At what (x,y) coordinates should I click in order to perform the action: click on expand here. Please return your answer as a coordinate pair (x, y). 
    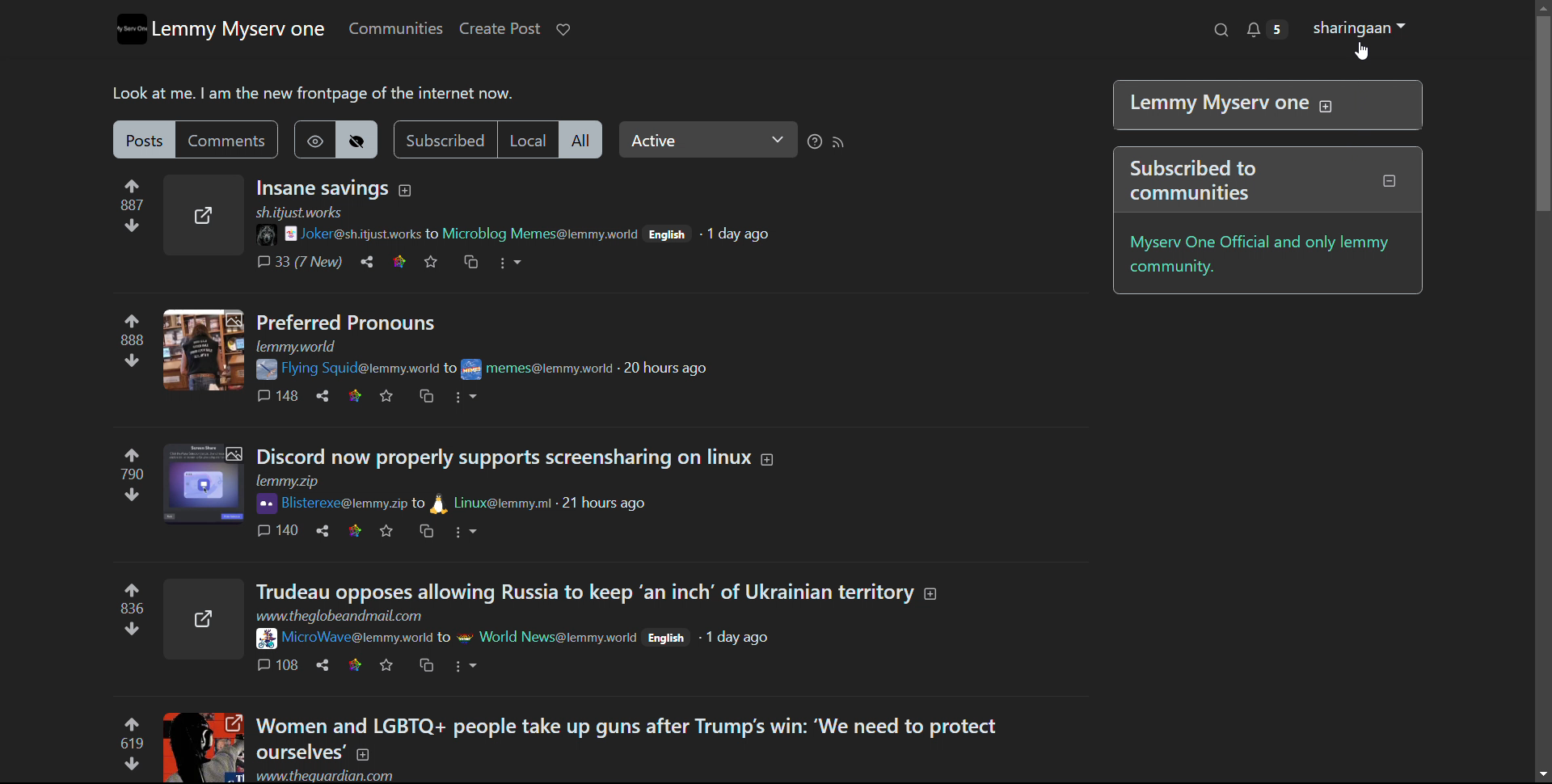
    Looking at the image, I should click on (202, 620).